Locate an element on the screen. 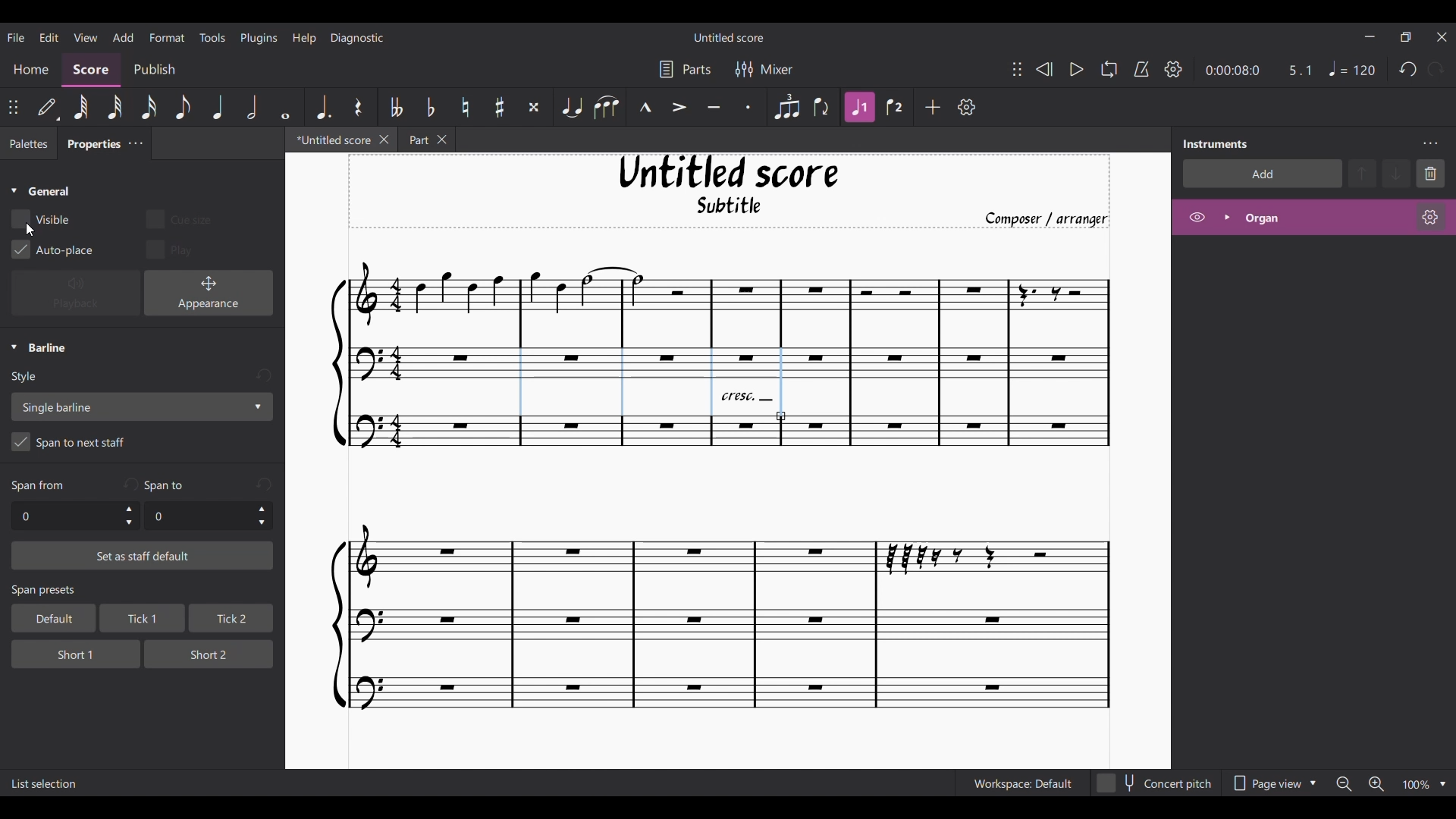  Rest is located at coordinates (358, 107).